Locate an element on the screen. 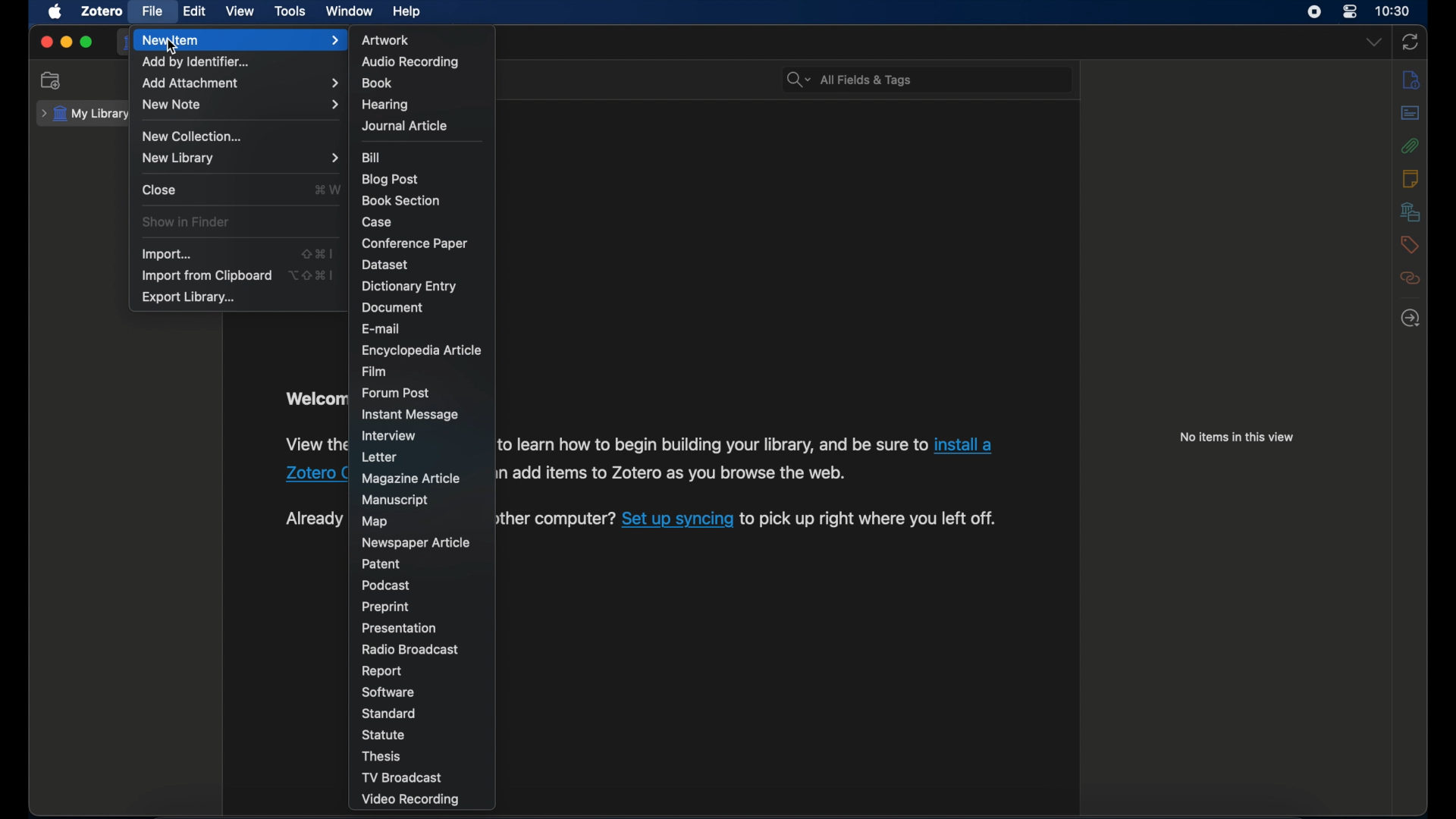 The width and height of the screenshot is (1456, 819). tags is located at coordinates (1407, 244).